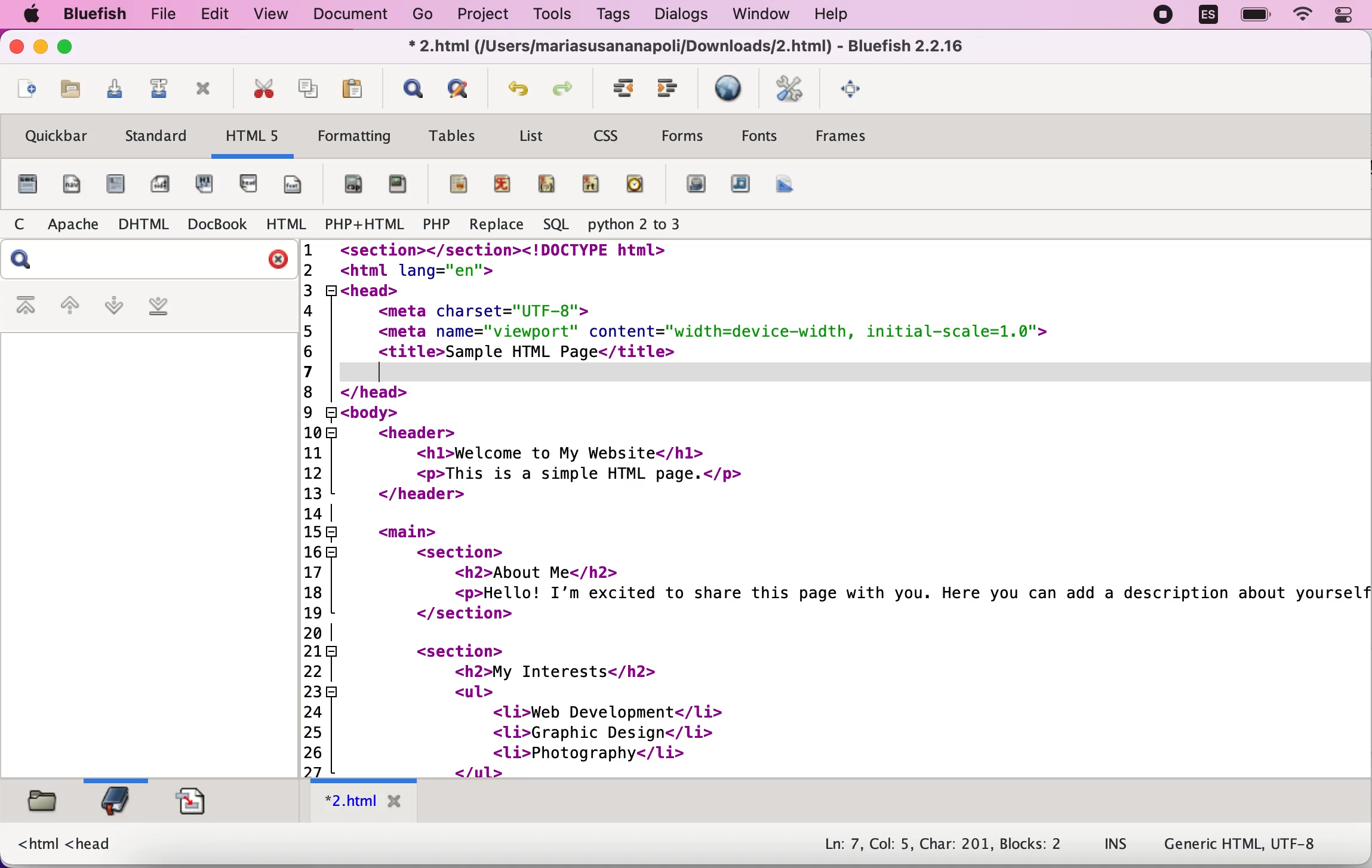 The image size is (1372, 868). Describe the element at coordinates (16, 48) in the screenshot. I see `close` at that location.